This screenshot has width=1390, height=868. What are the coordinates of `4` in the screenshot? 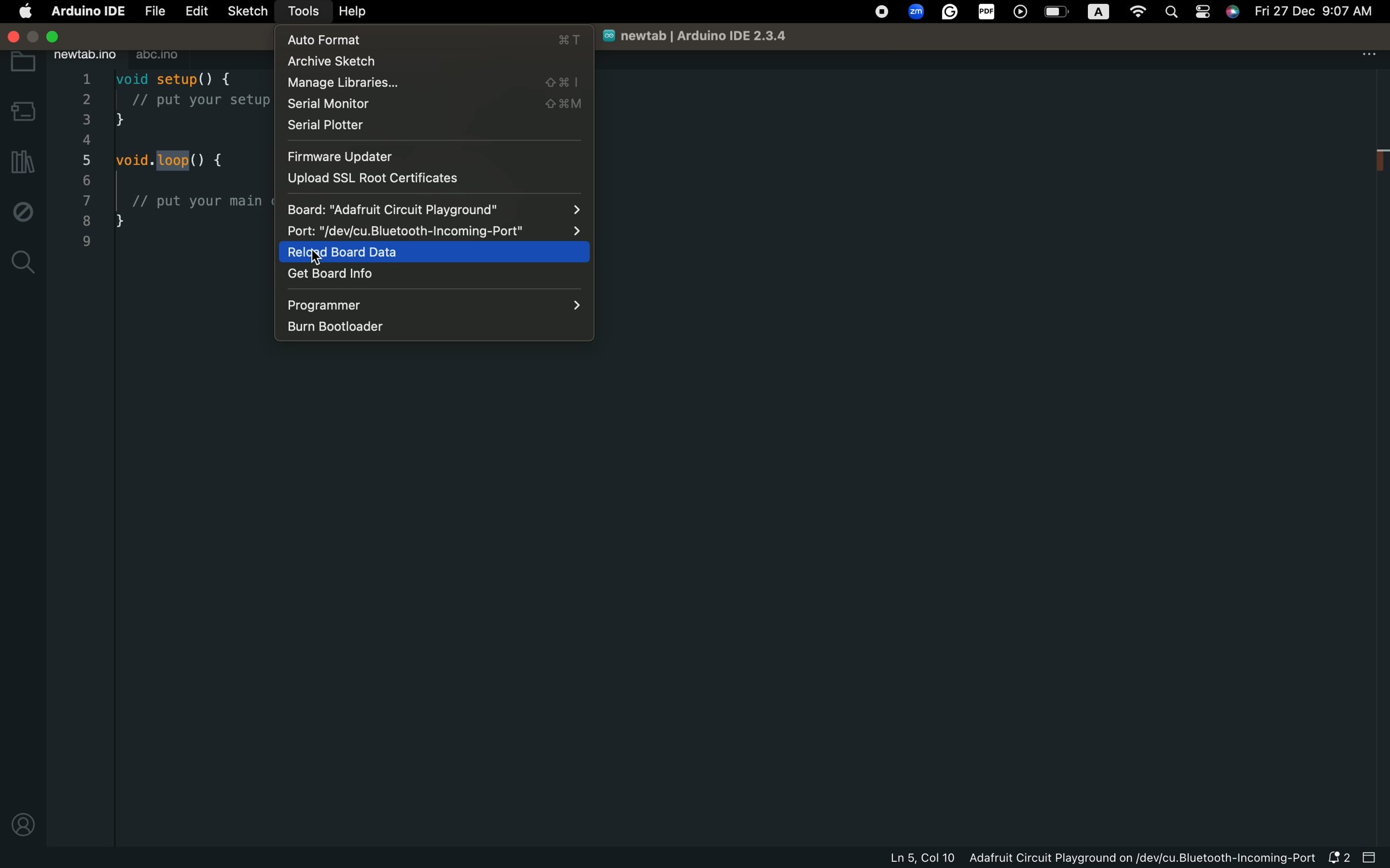 It's located at (86, 139).